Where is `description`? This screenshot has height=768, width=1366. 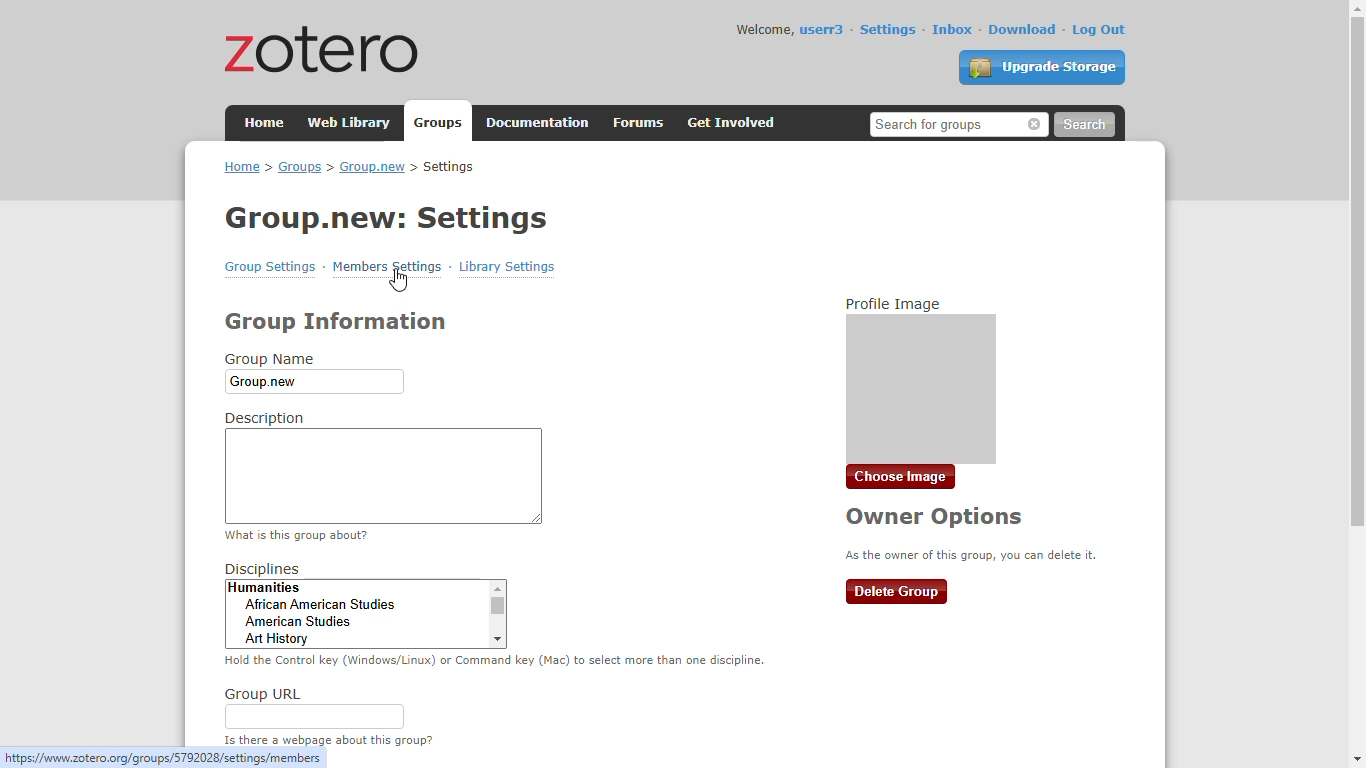
description is located at coordinates (382, 466).